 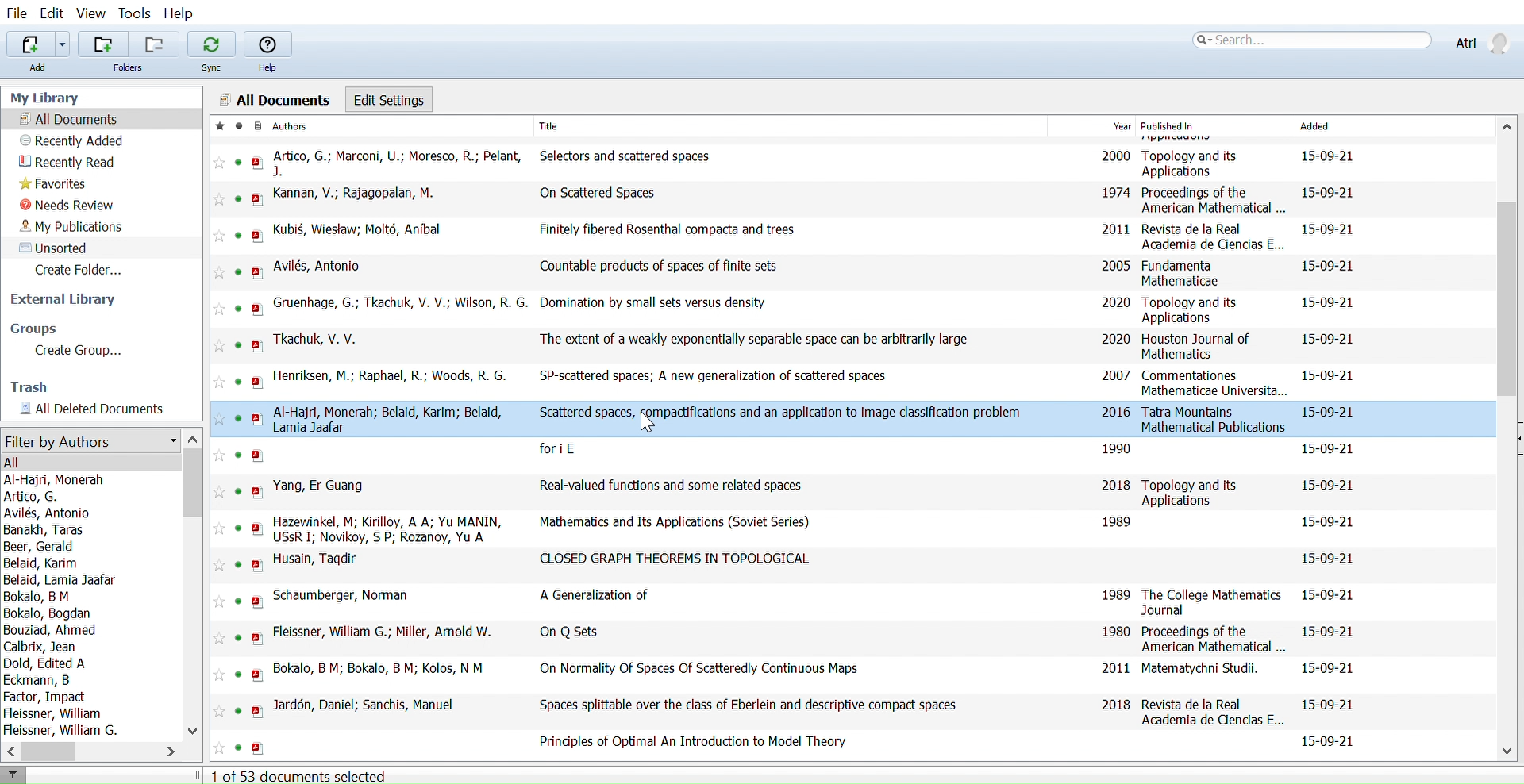 I want to click on Added, so click(x=1346, y=126).